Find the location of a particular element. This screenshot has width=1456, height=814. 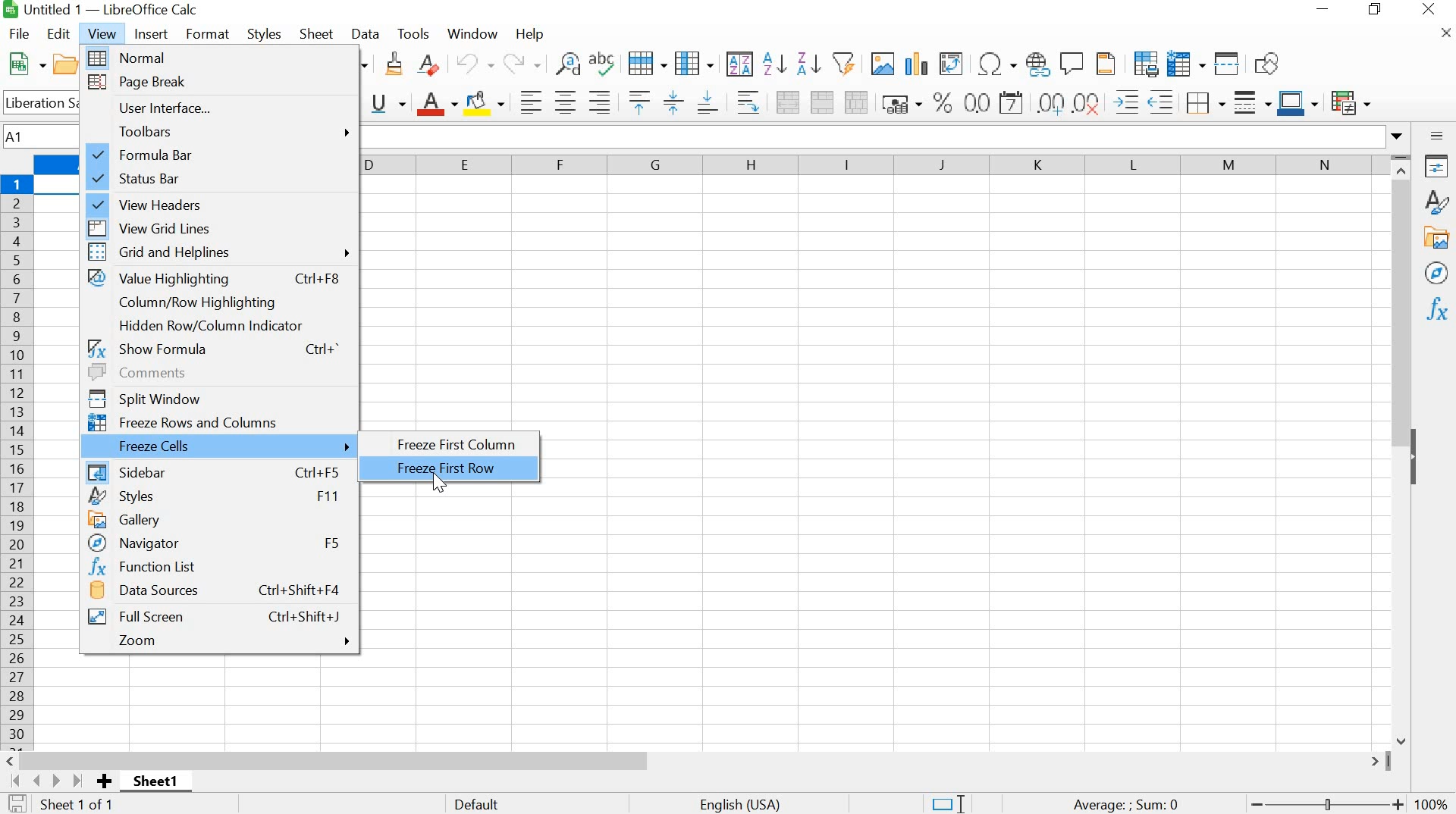

IMAGE is located at coordinates (882, 63).